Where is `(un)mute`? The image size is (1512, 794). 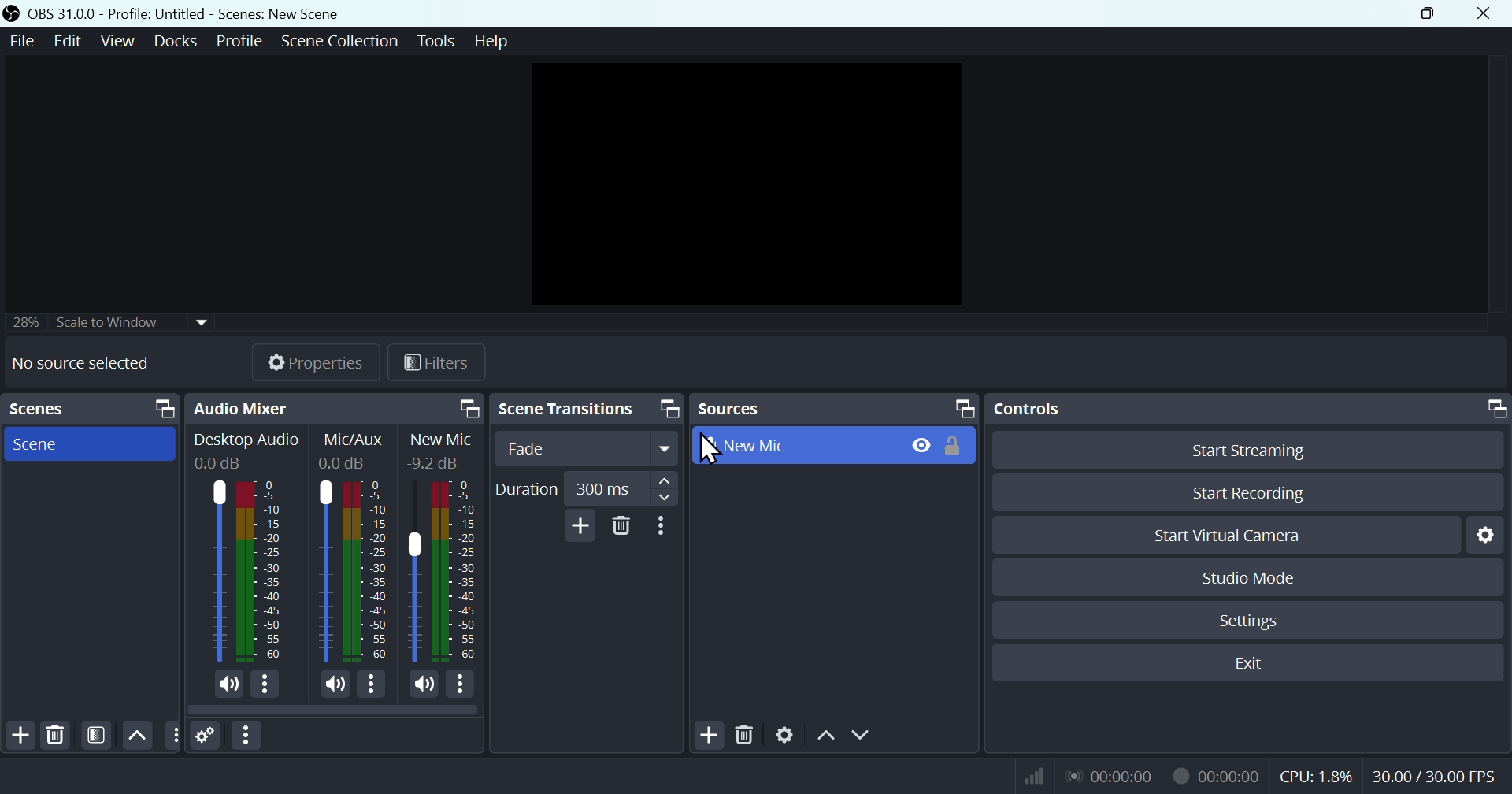 (un)mute is located at coordinates (229, 685).